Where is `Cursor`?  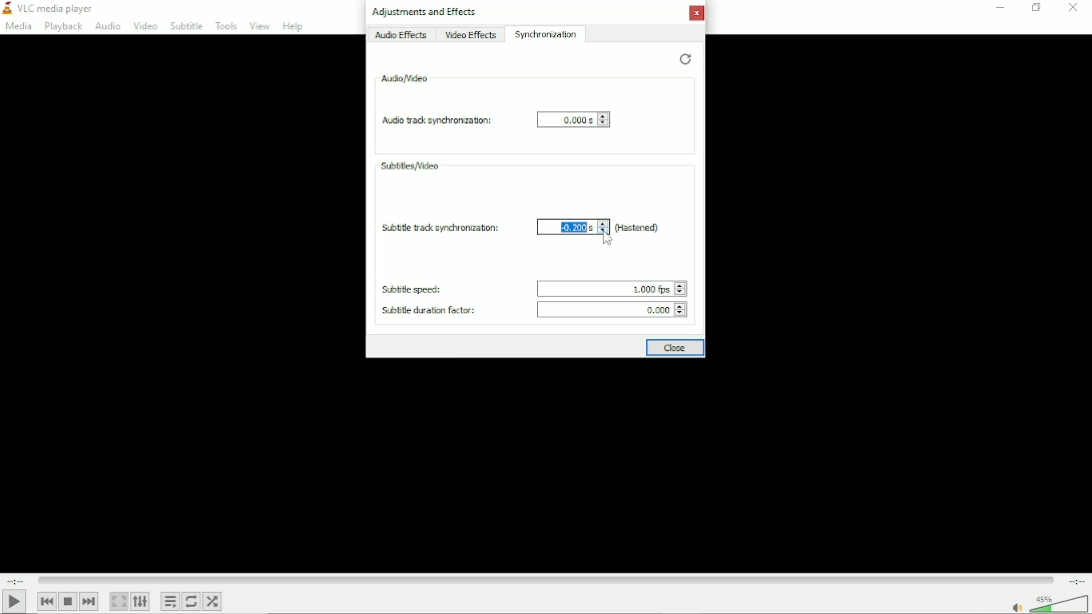
Cursor is located at coordinates (606, 238).